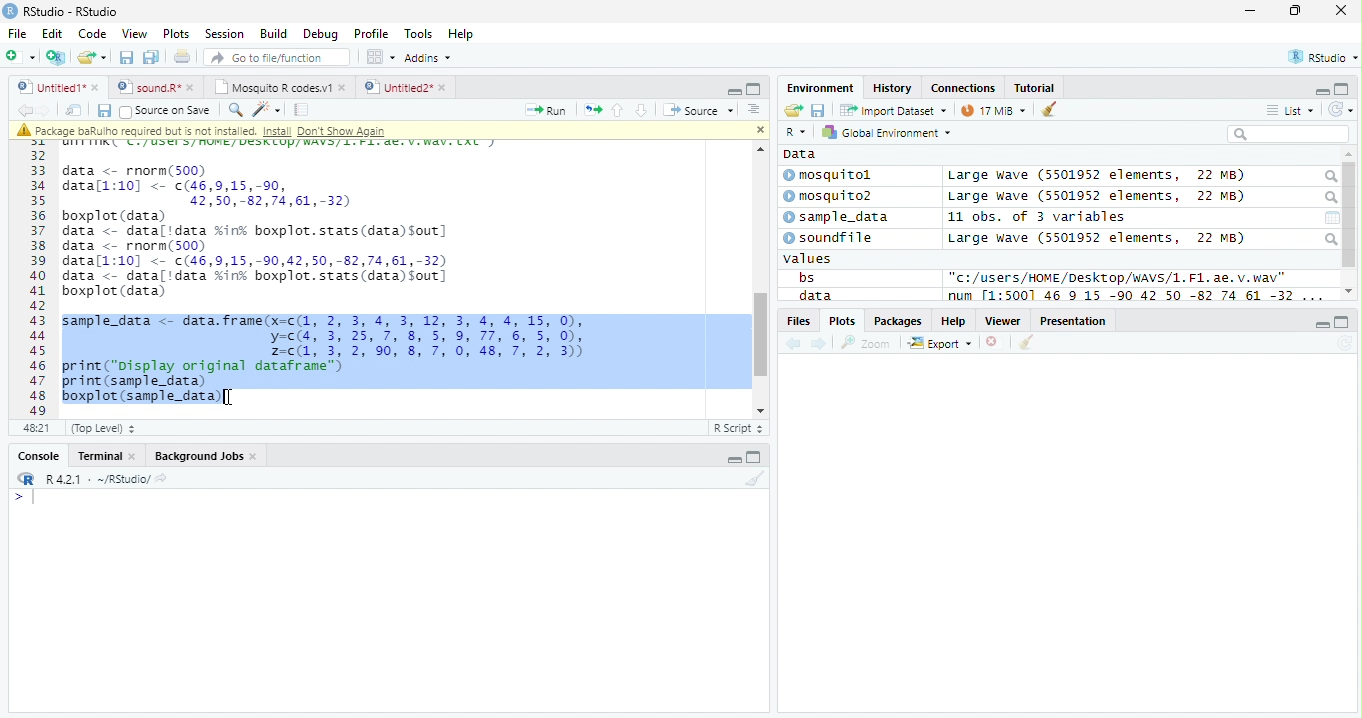  Describe the element at coordinates (36, 427) in the screenshot. I see `48:21` at that location.